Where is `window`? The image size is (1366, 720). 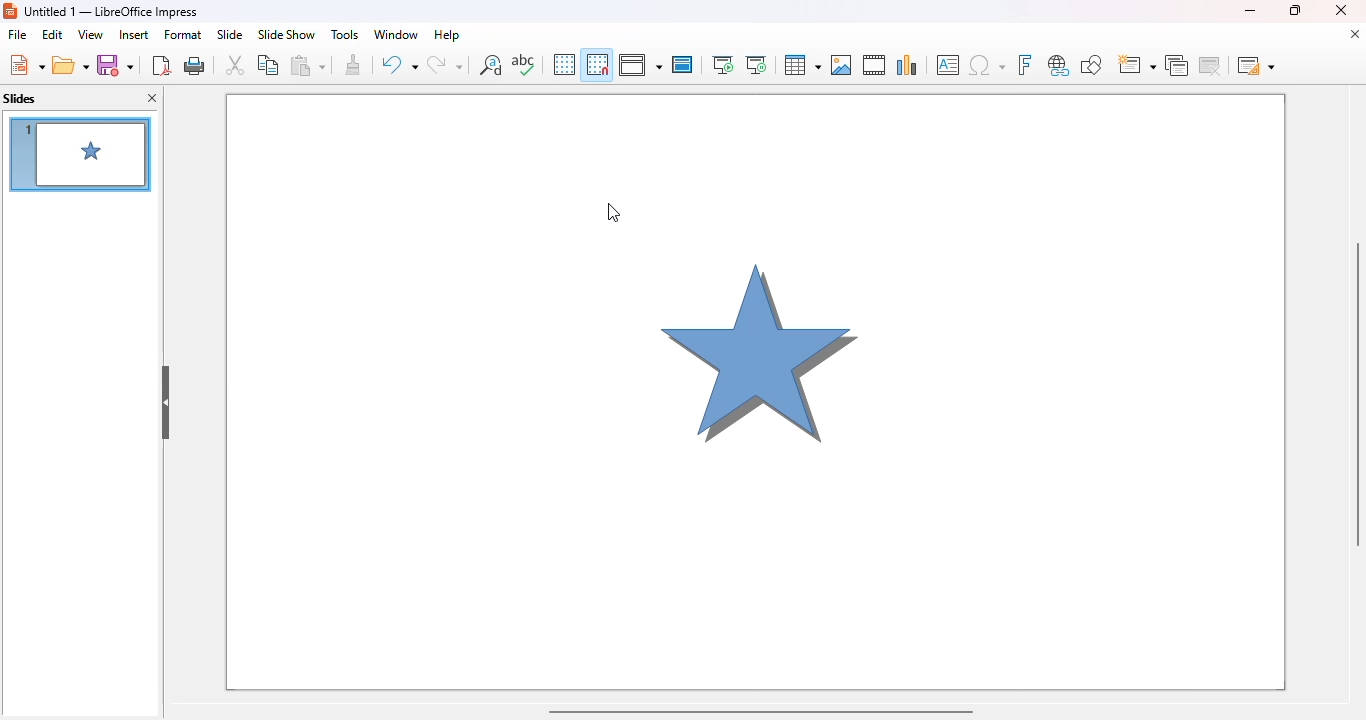
window is located at coordinates (394, 35).